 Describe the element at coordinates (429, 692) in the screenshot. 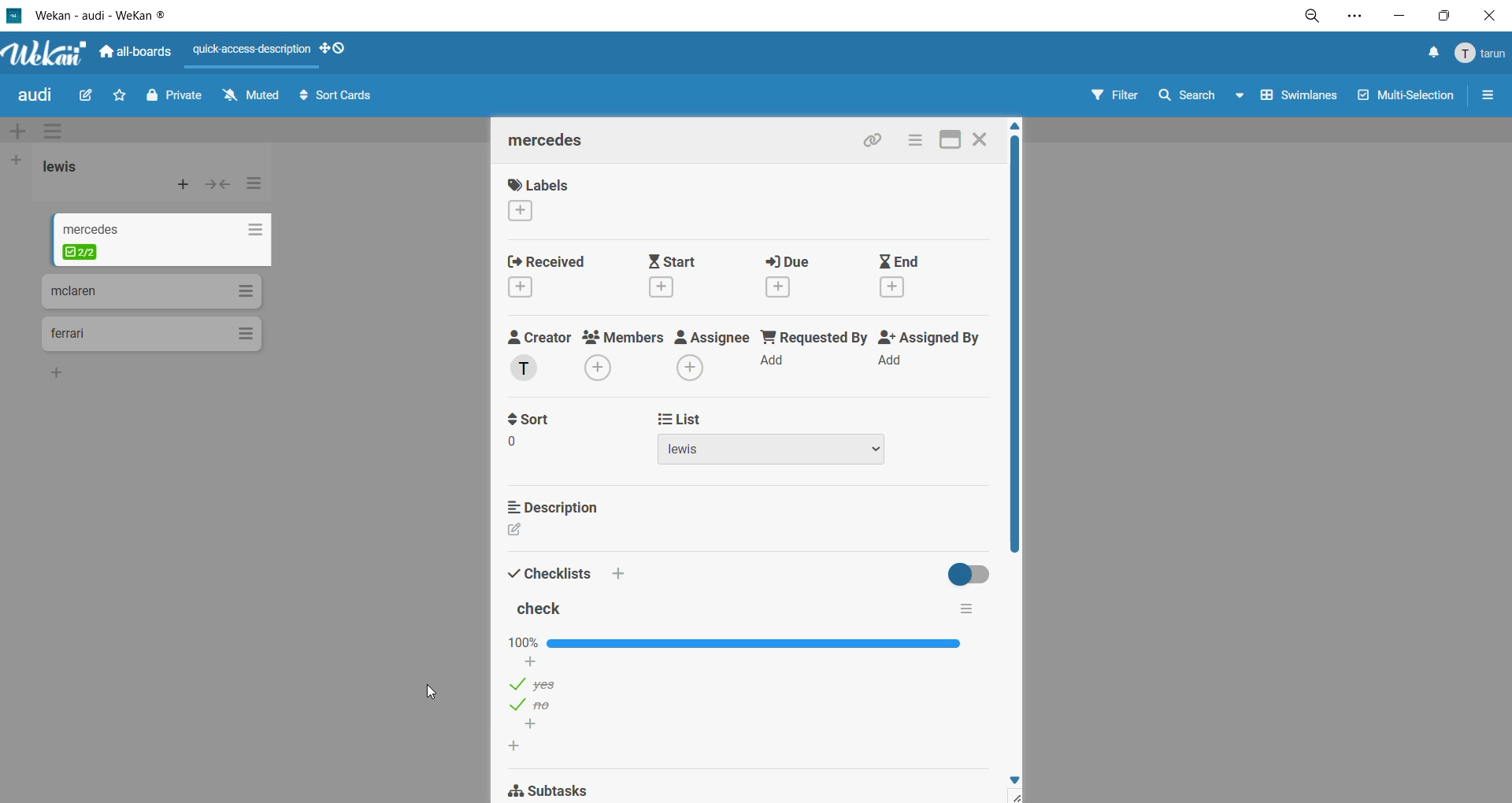

I see `cursor` at that location.